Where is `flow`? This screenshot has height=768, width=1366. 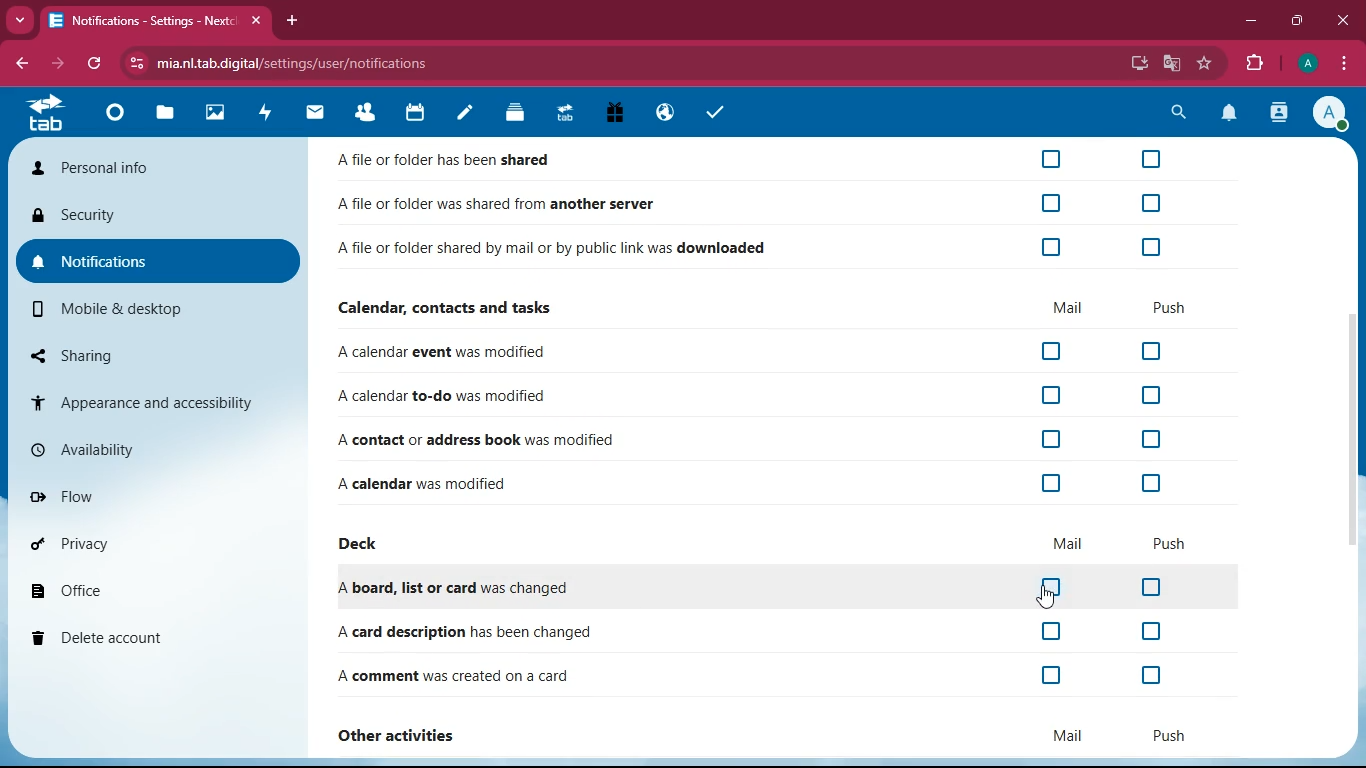
flow is located at coordinates (152, 494).